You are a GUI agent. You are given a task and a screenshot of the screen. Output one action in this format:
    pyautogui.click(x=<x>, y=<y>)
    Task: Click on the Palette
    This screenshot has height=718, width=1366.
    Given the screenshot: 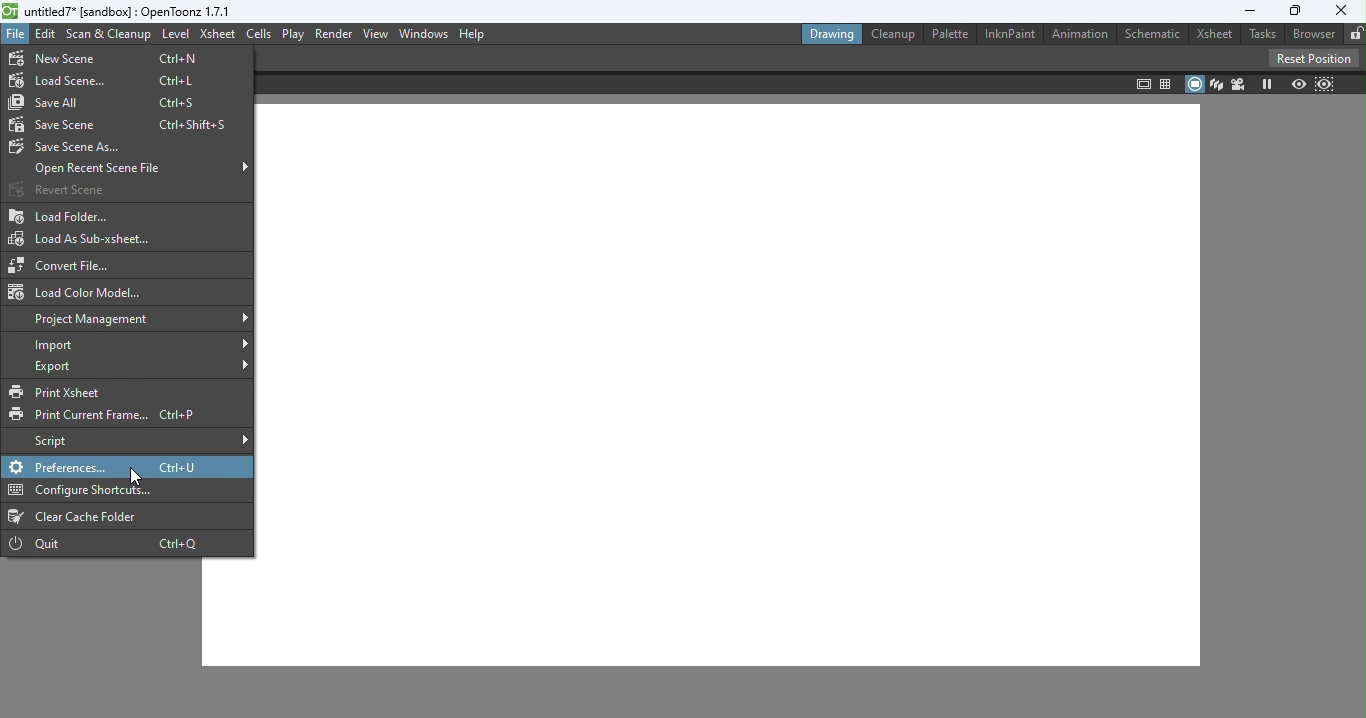 What is the action you would take?
    pyautogui.click(x=950, y=35)
    